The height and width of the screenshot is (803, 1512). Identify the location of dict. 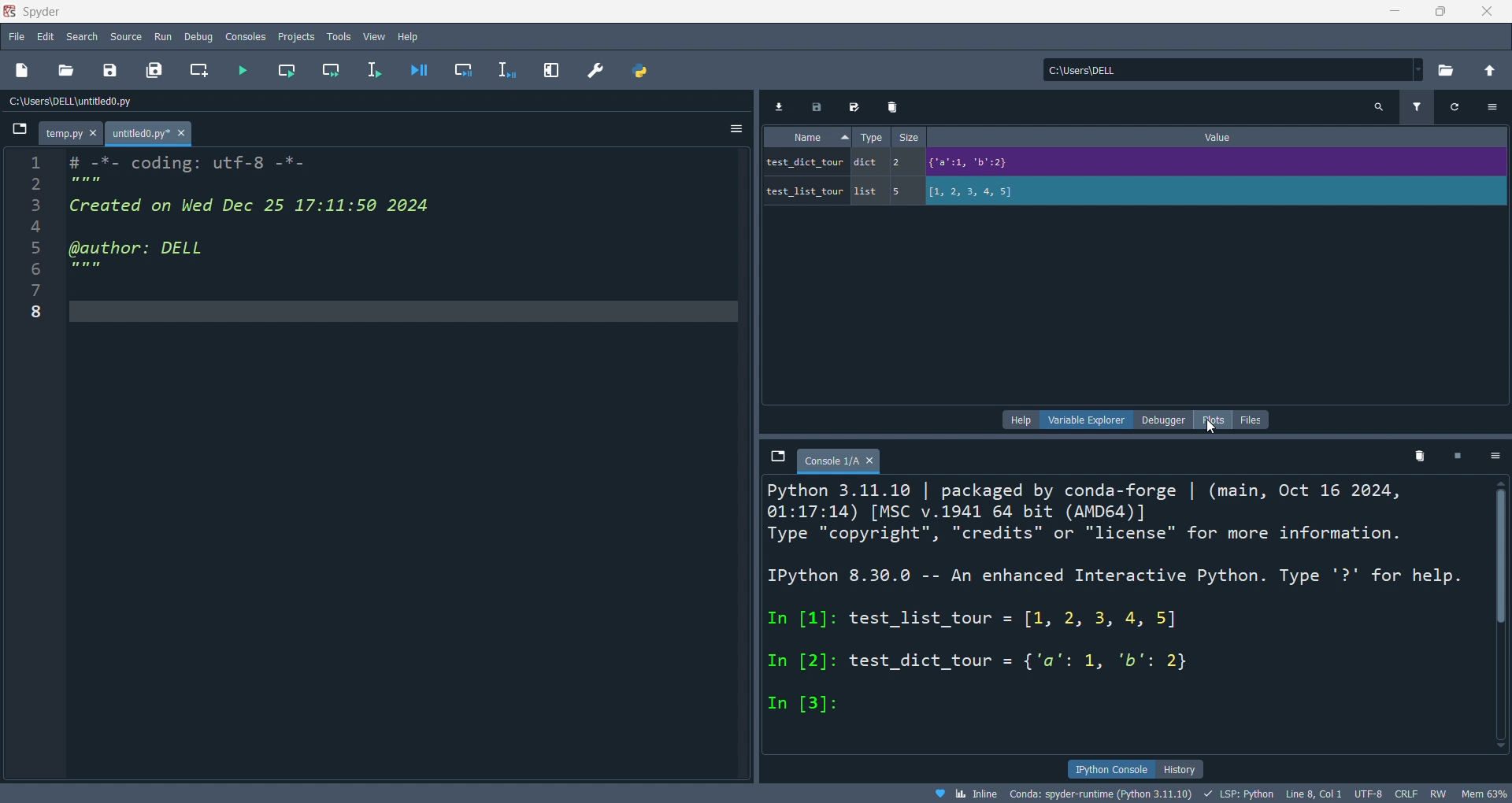
(864, 161).